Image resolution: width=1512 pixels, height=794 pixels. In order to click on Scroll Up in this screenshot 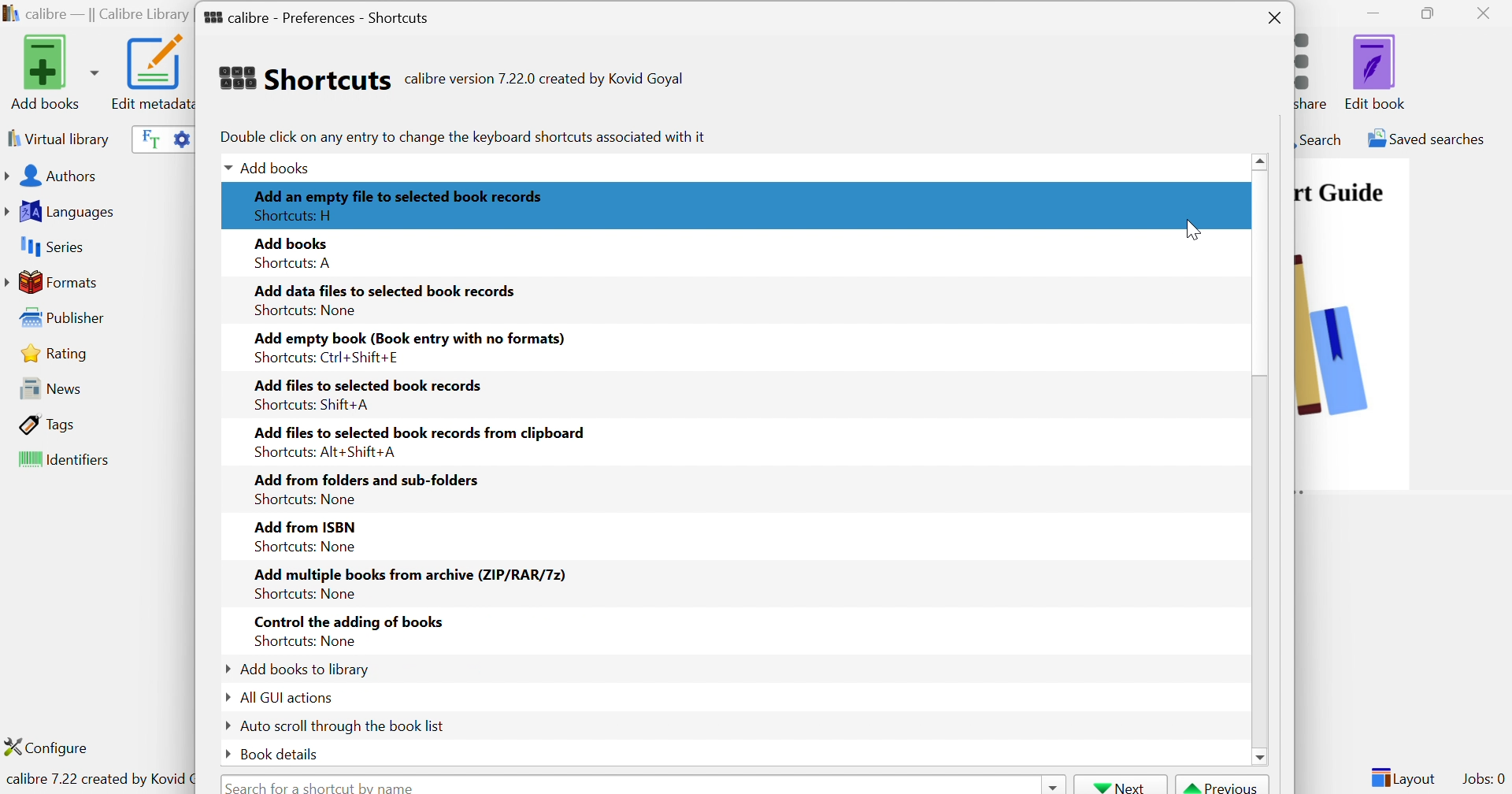, I will do `click(1262, 160)`.